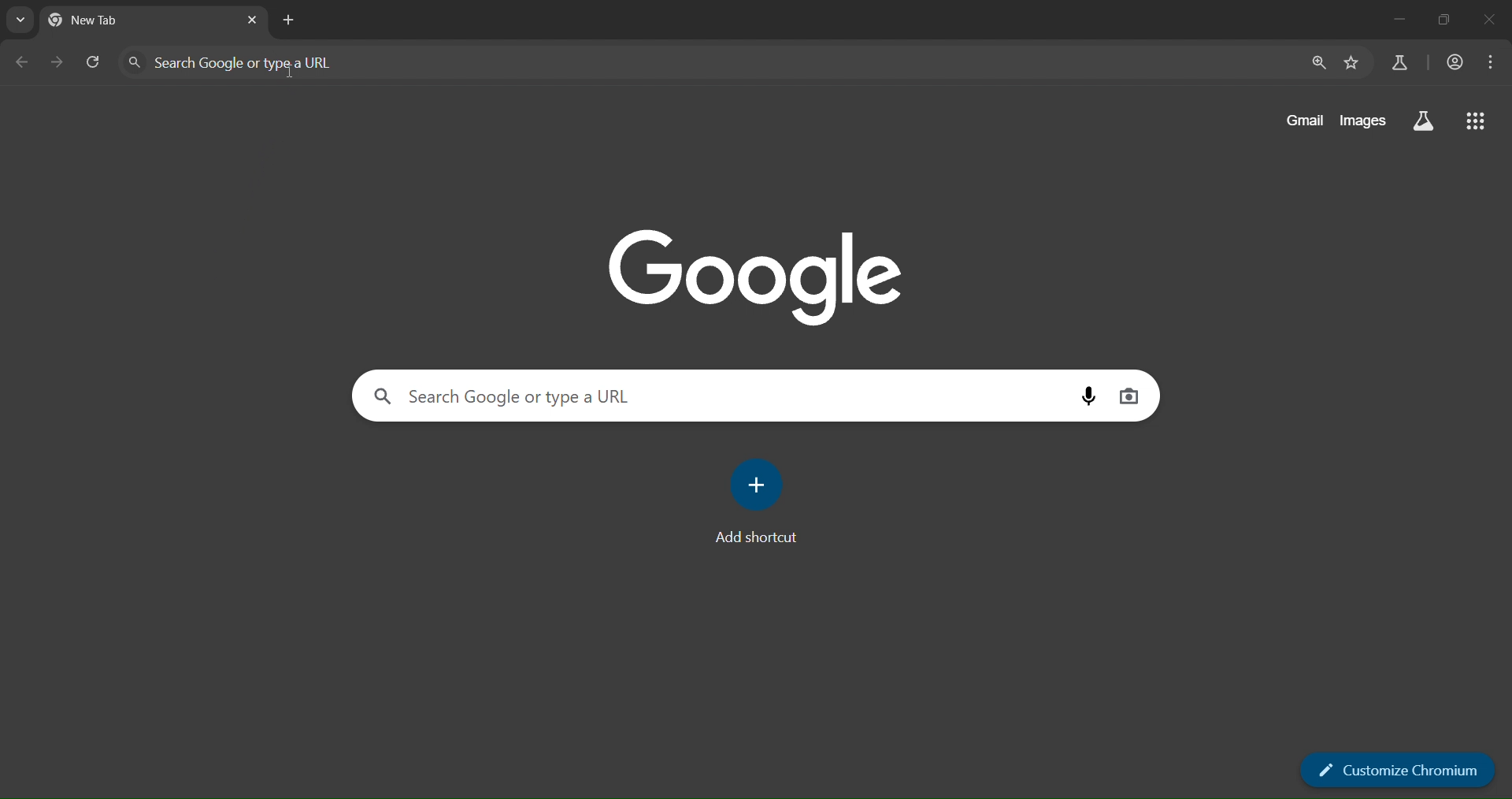 This screenshot has width=1512, height=799. Describe the element at coordinates (291, 20) in the screenshot. I see `new tab` at that location.